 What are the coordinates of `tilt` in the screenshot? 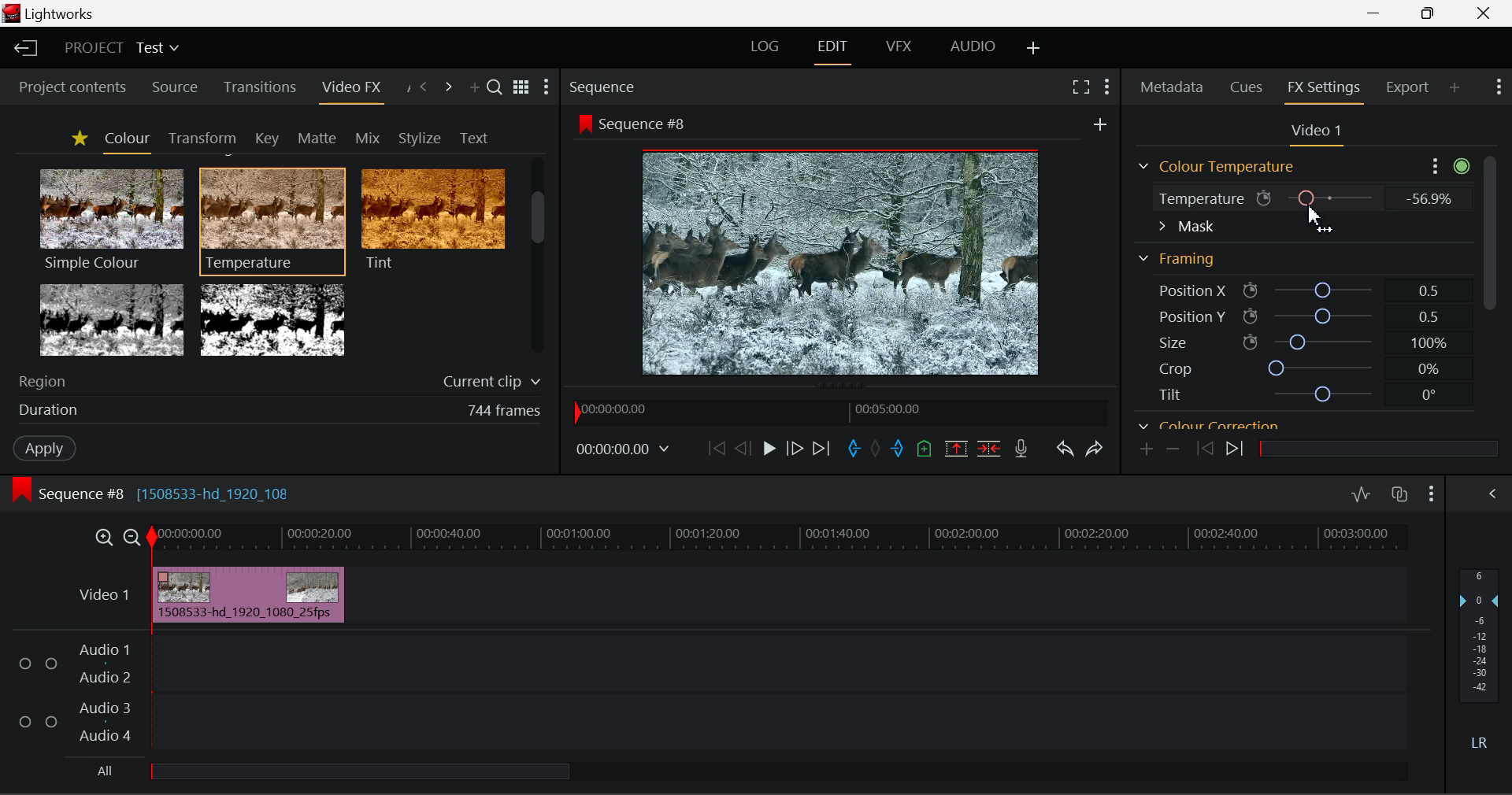 It's located at (1325, 394).